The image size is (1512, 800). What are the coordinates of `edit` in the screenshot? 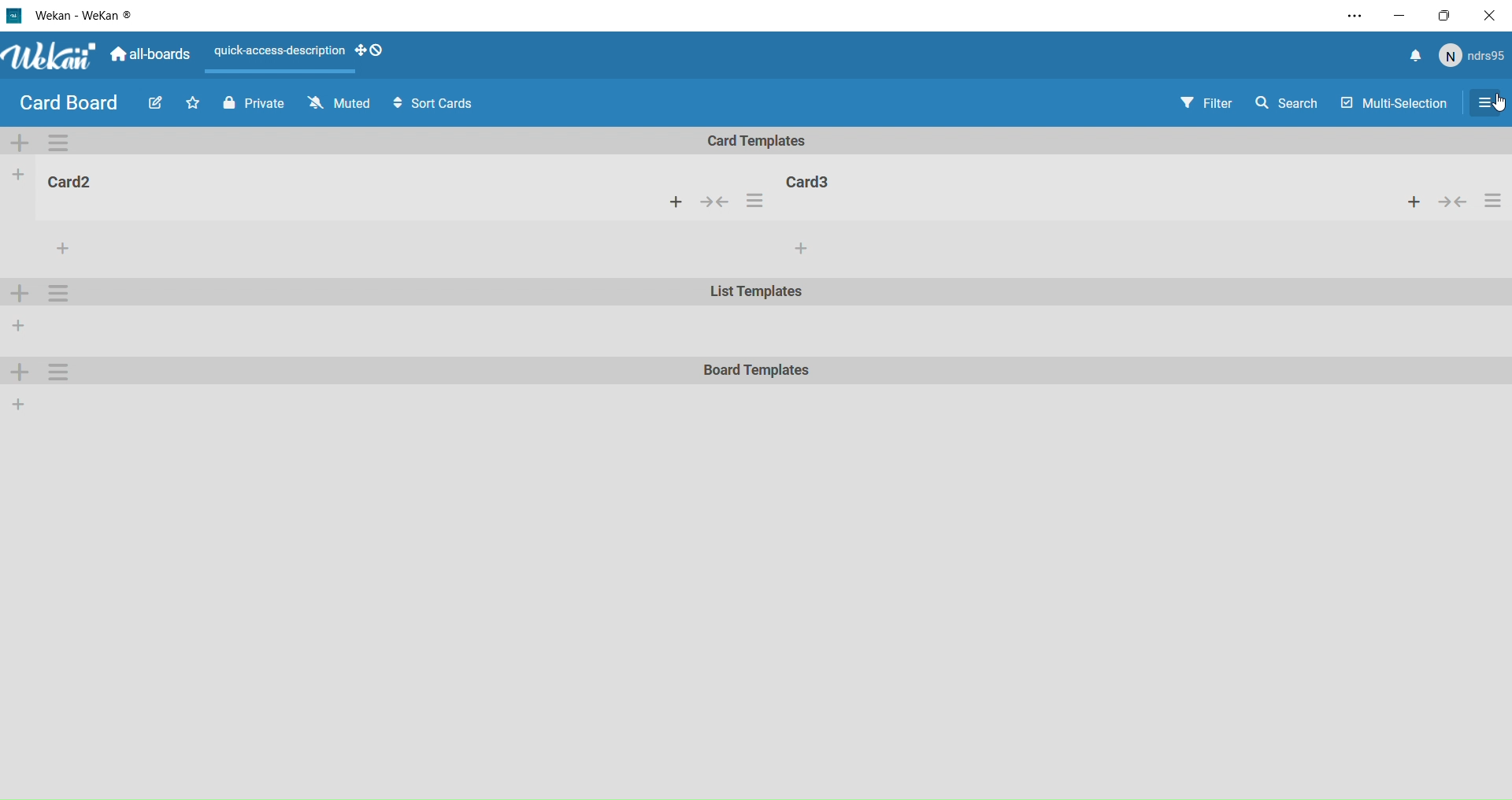 It's located at (153, 106).